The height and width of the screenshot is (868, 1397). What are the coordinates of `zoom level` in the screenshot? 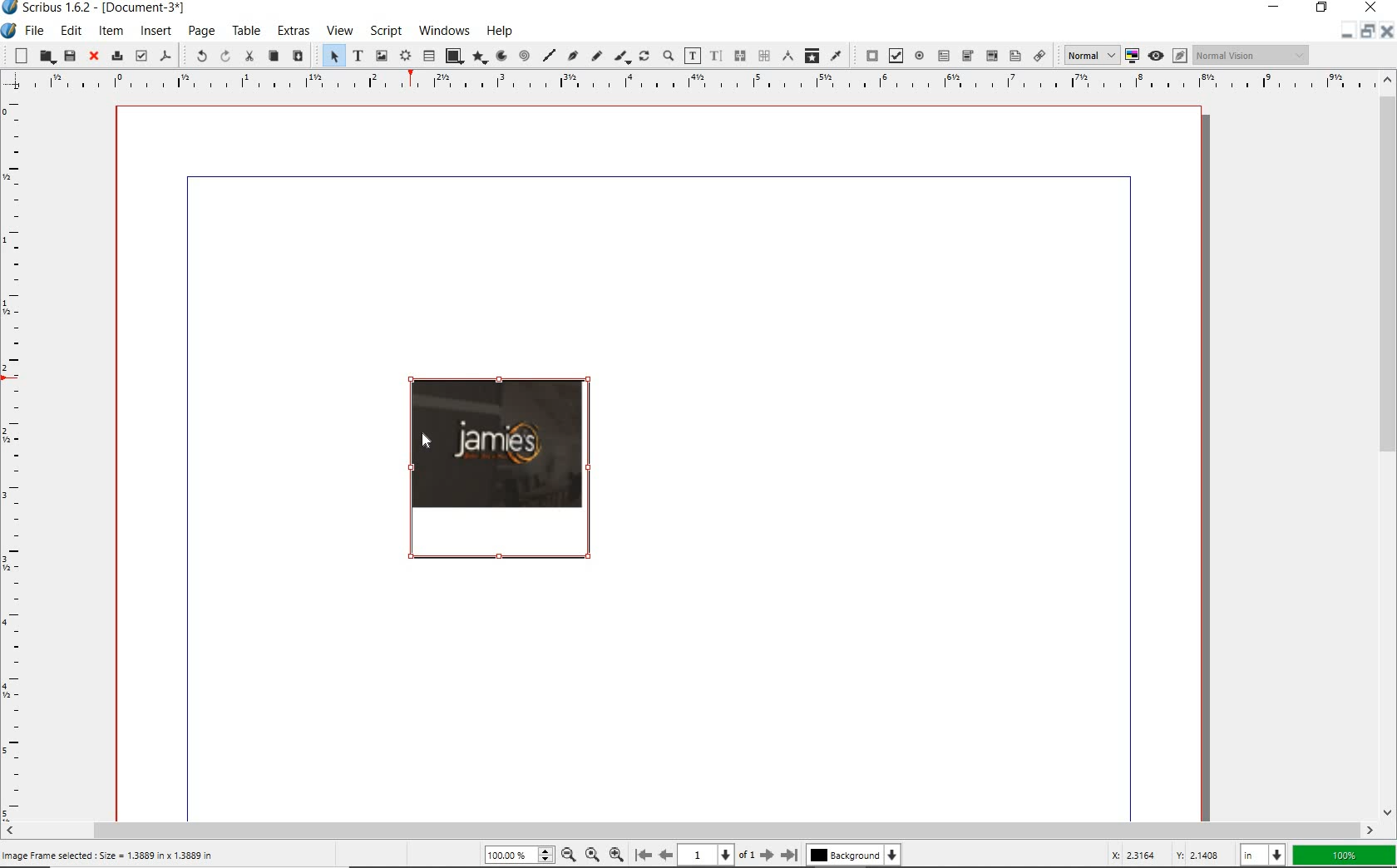 It's located at (516, 857).